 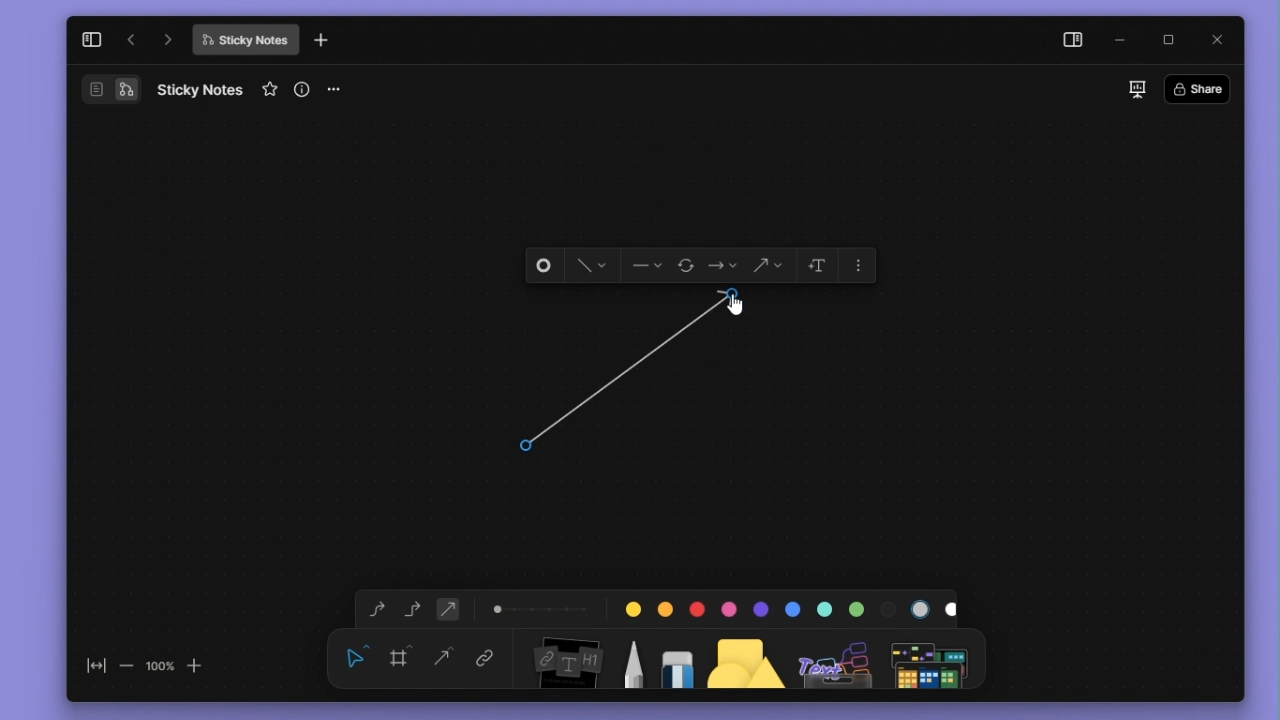 I want to click on new tab, so click(x=321, y=41).